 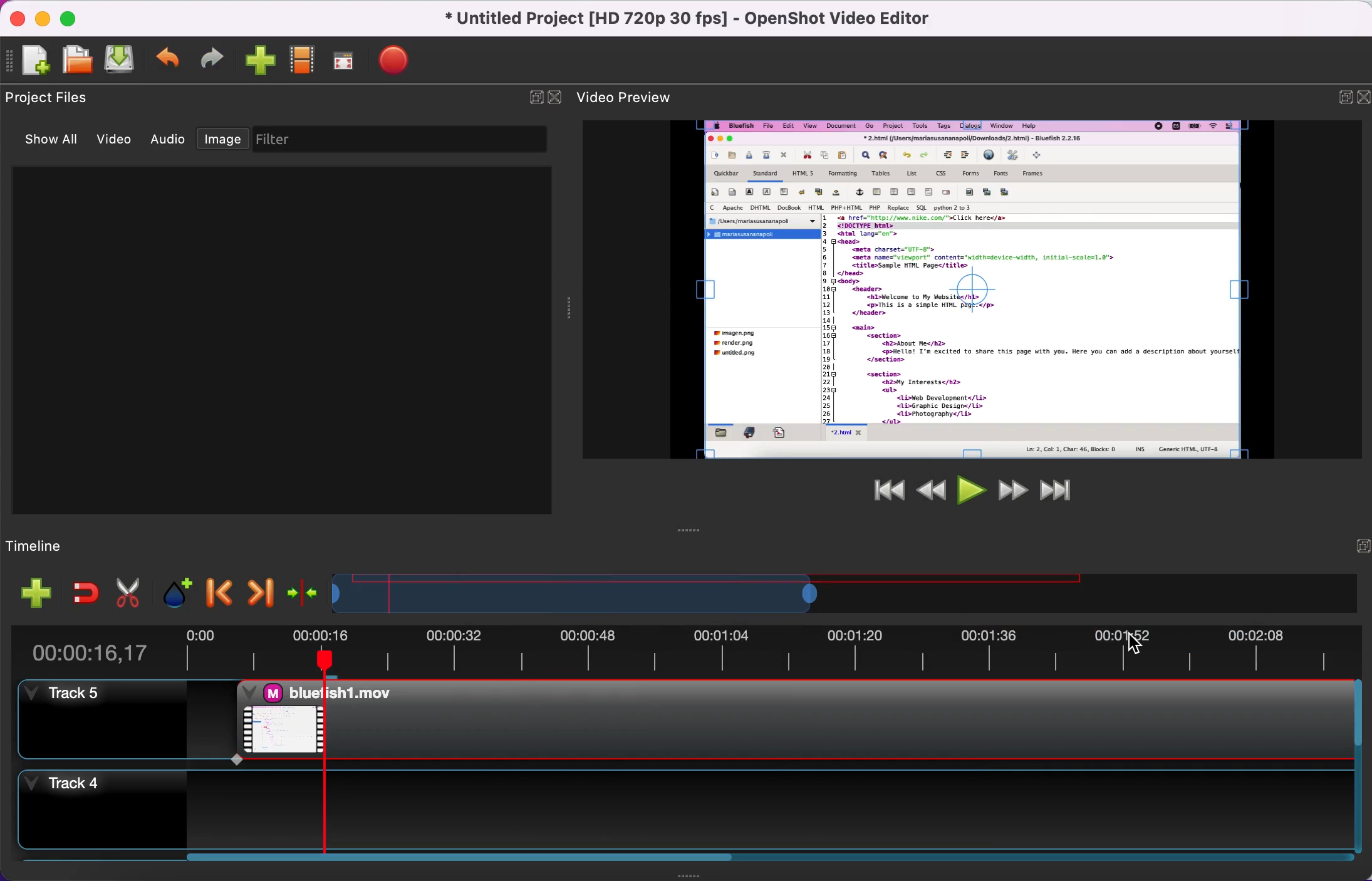 I want to click on audio, so click(x=168, y=141).